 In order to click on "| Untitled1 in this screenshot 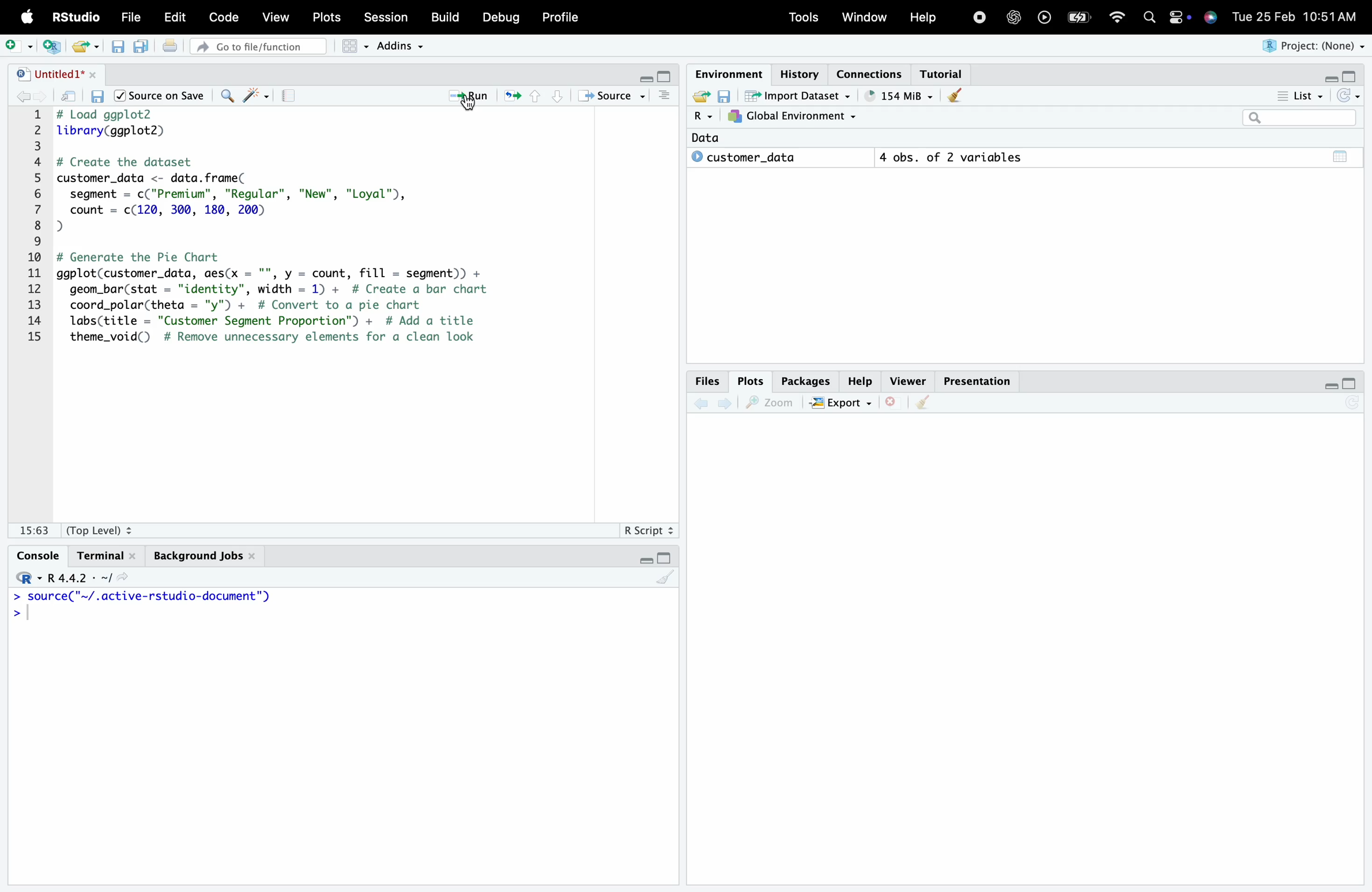, I will do `click(55, 75)`.